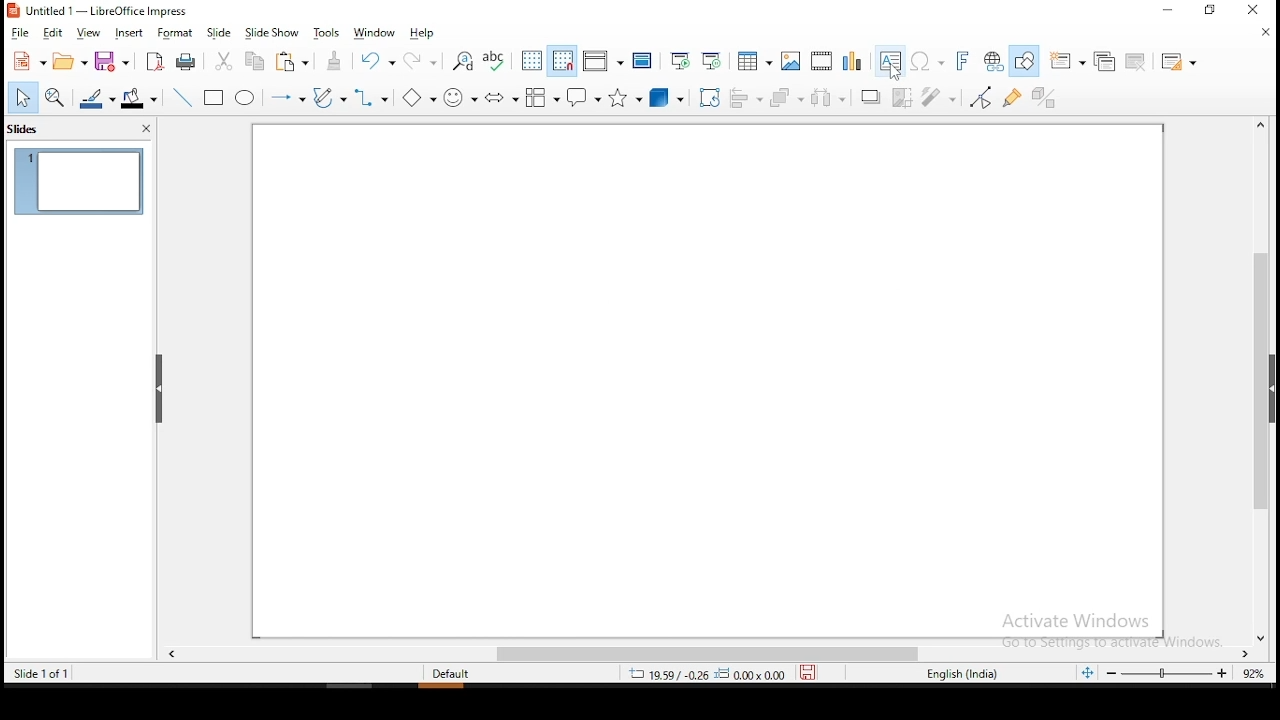  What do you see at coordinates (904, 97) in the screenshot?
I see `crop image` at bounding box center [904, 97].